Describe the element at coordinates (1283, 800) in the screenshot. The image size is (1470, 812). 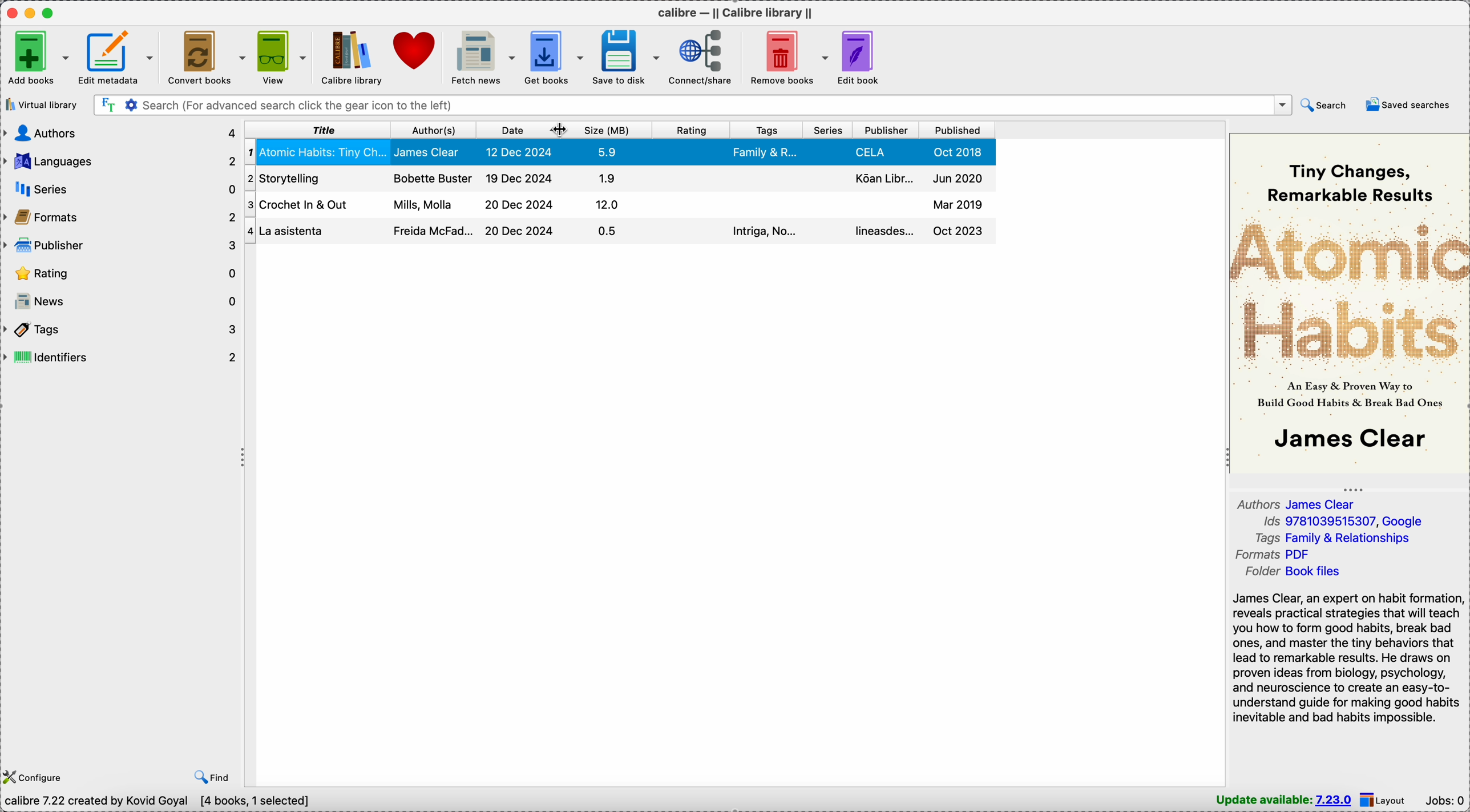
I see `update available: 7.23.0` at that location.